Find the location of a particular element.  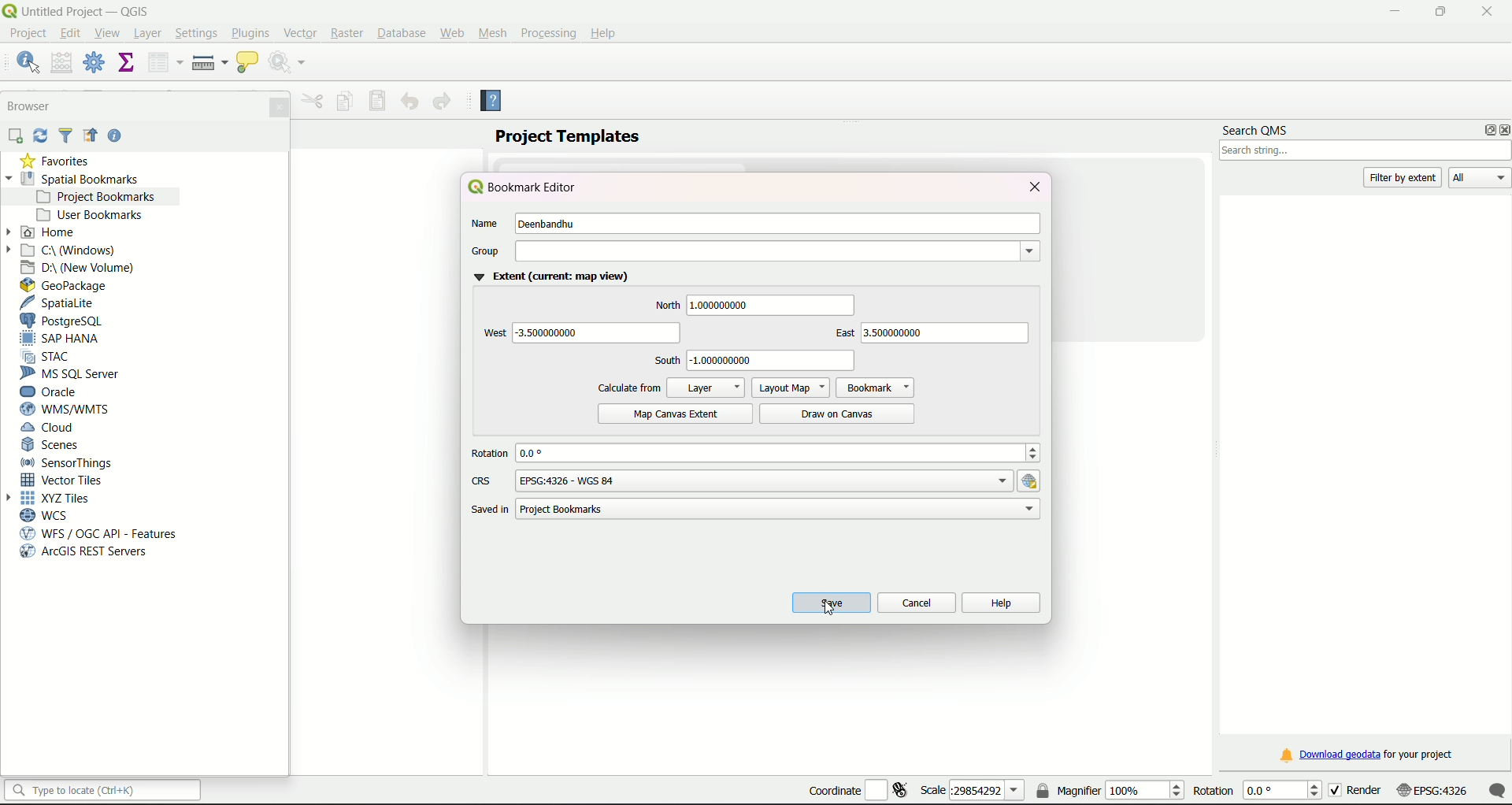

Home is located at coordinates (50, 232).